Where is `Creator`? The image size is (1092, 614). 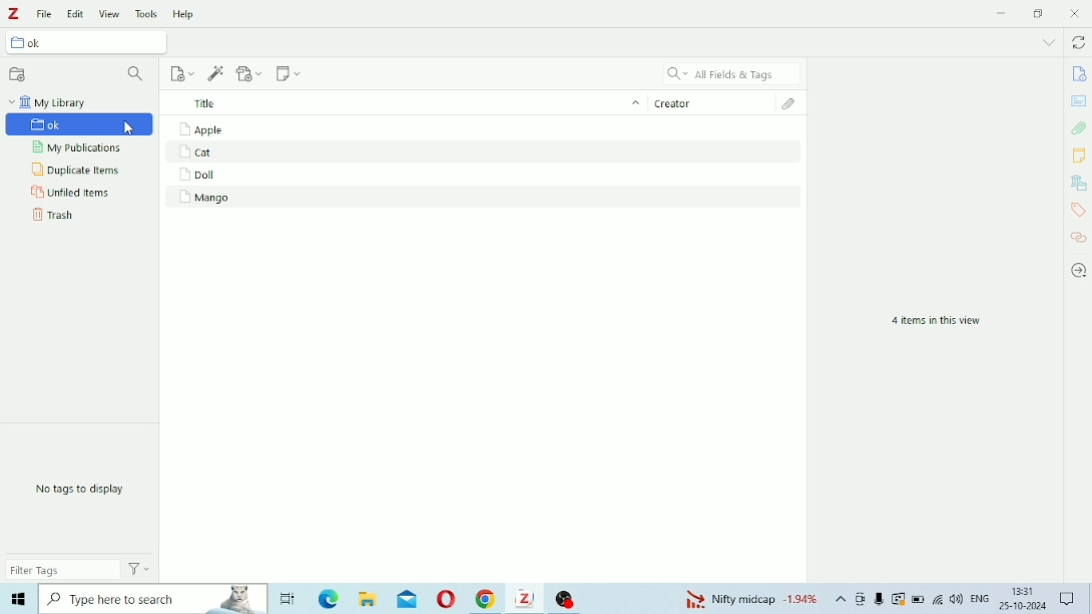
Creator is located at coordinates (713, 101).